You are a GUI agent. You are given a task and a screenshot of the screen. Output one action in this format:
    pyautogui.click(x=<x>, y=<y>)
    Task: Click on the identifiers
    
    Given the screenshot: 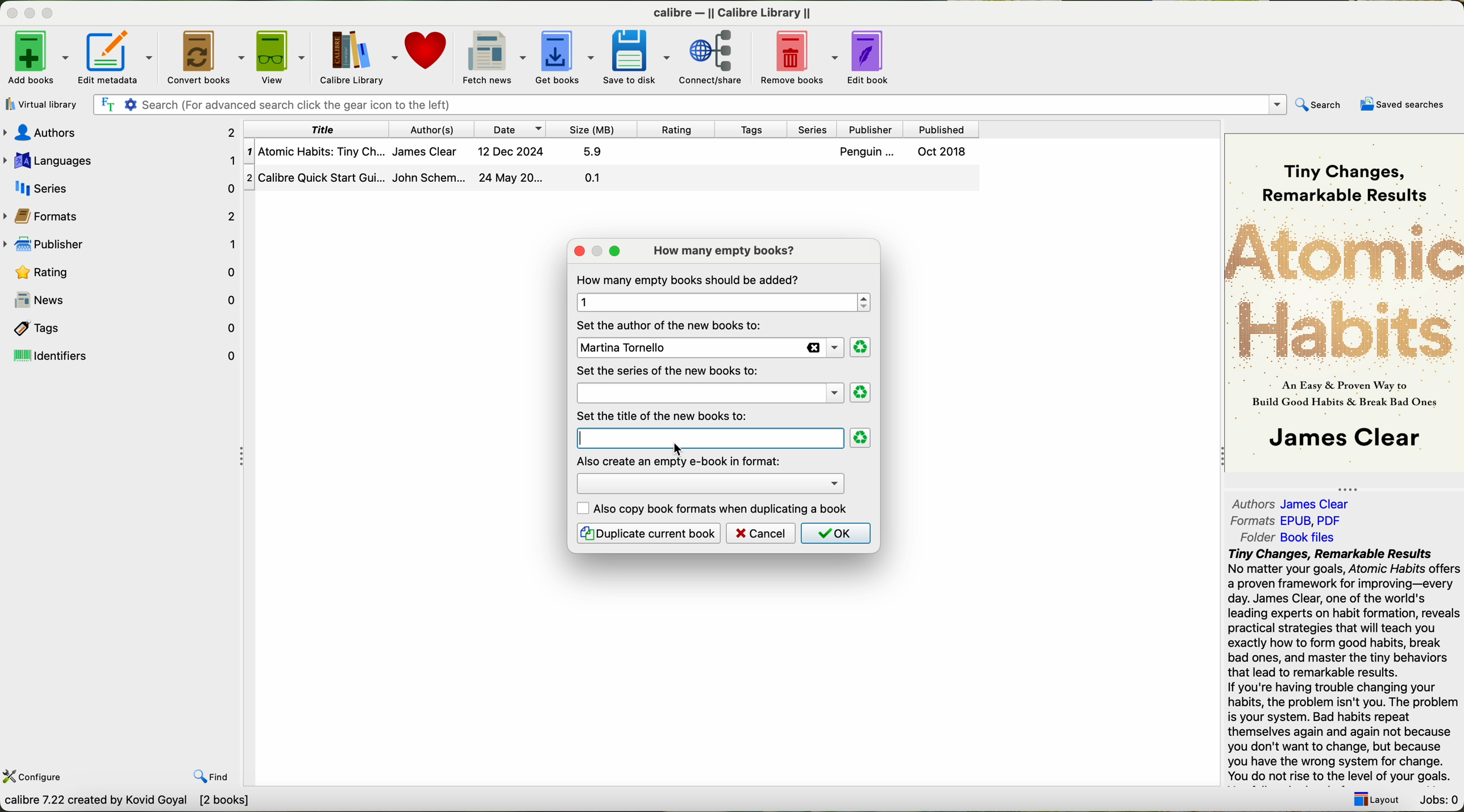 What is the action you would take?
    pyautogui.click(x=123, y=356)
    